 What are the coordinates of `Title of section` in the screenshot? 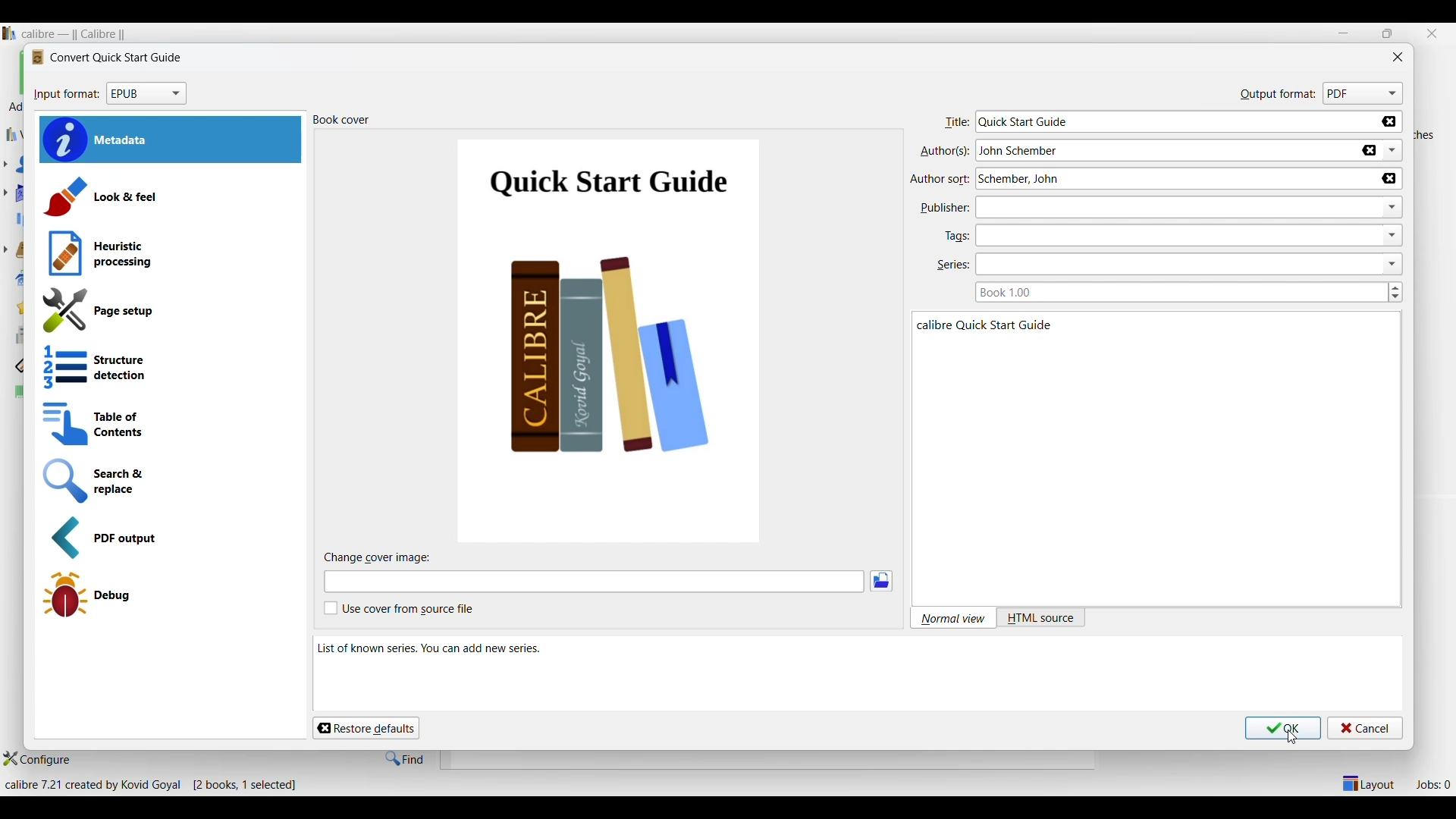 It's located at (341, 119).